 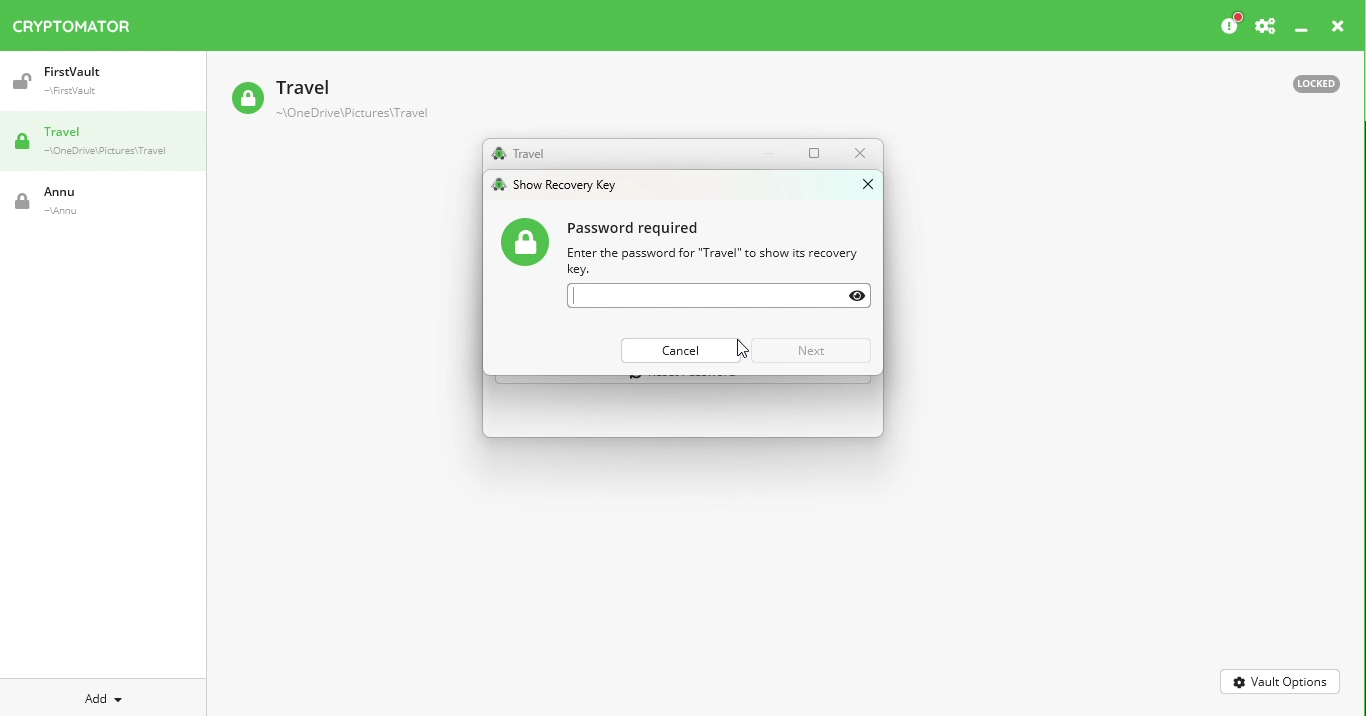 I want to click on Vault options, so click(x=1281, y=680).